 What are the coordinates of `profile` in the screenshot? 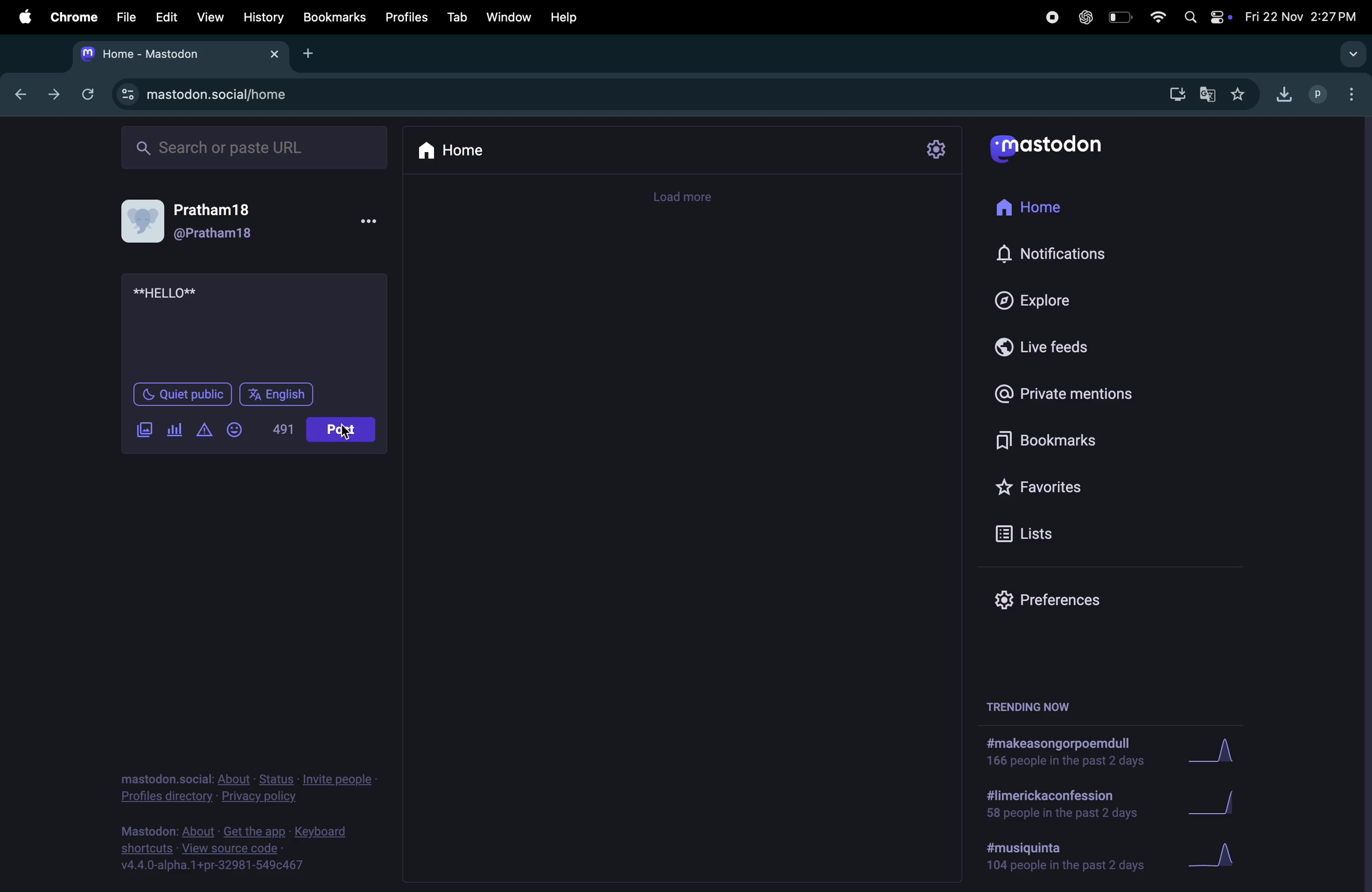 It's located at (1319, 94).